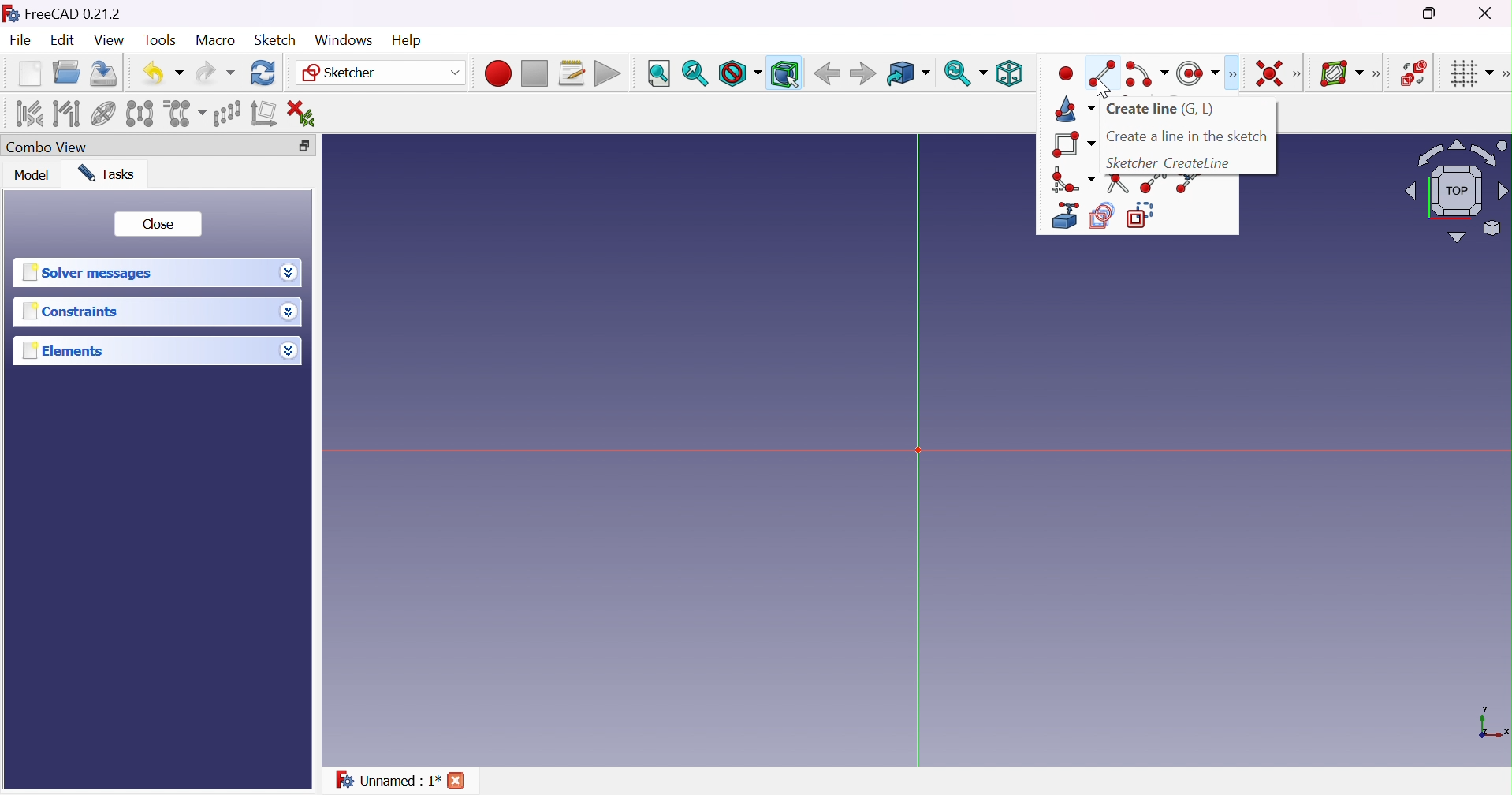  I want to click on Constrain coincident, so click(1267, 73).